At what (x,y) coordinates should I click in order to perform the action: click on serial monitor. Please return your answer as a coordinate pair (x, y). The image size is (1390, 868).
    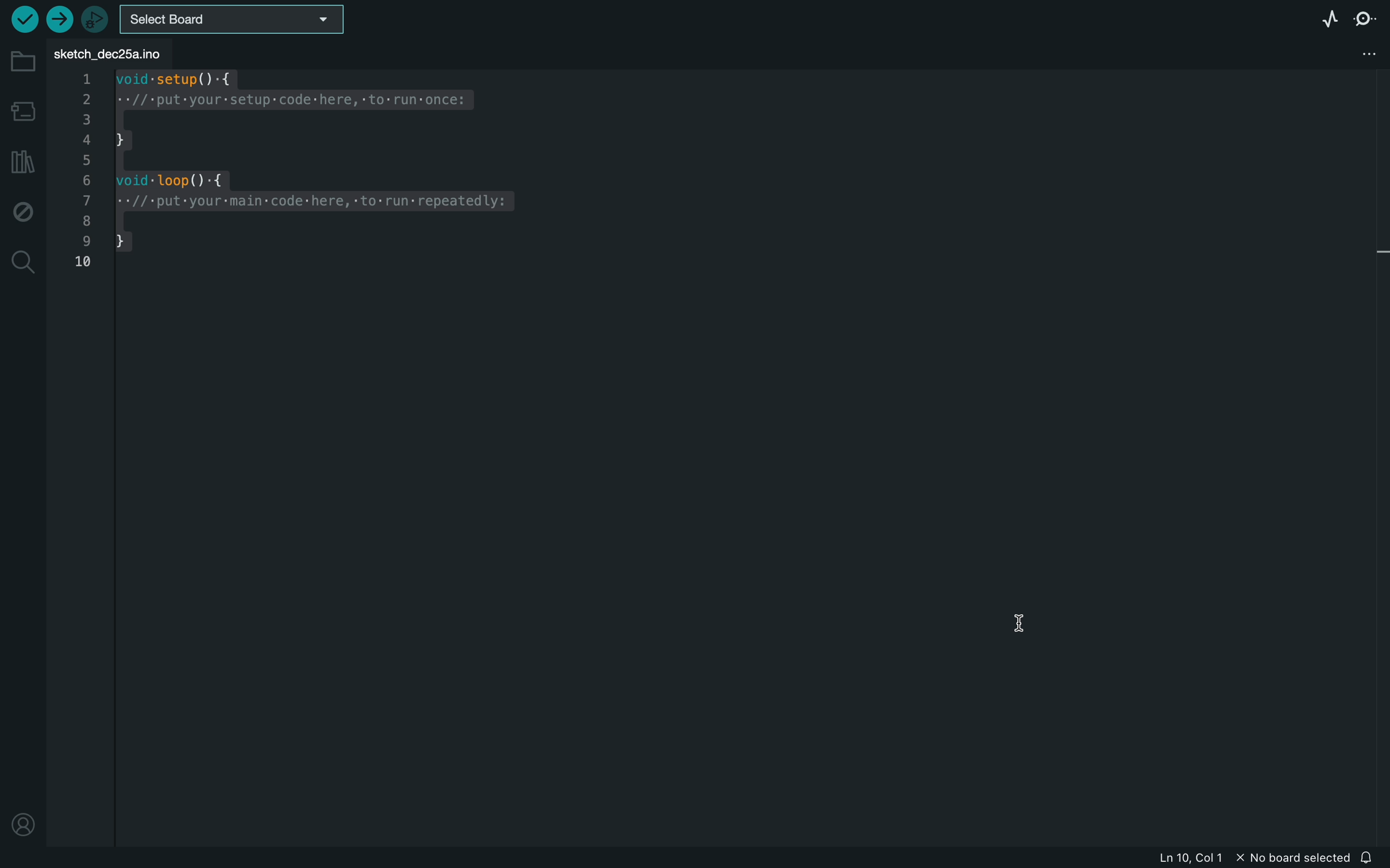
    Looking at the image, I should click on (1367, 19).